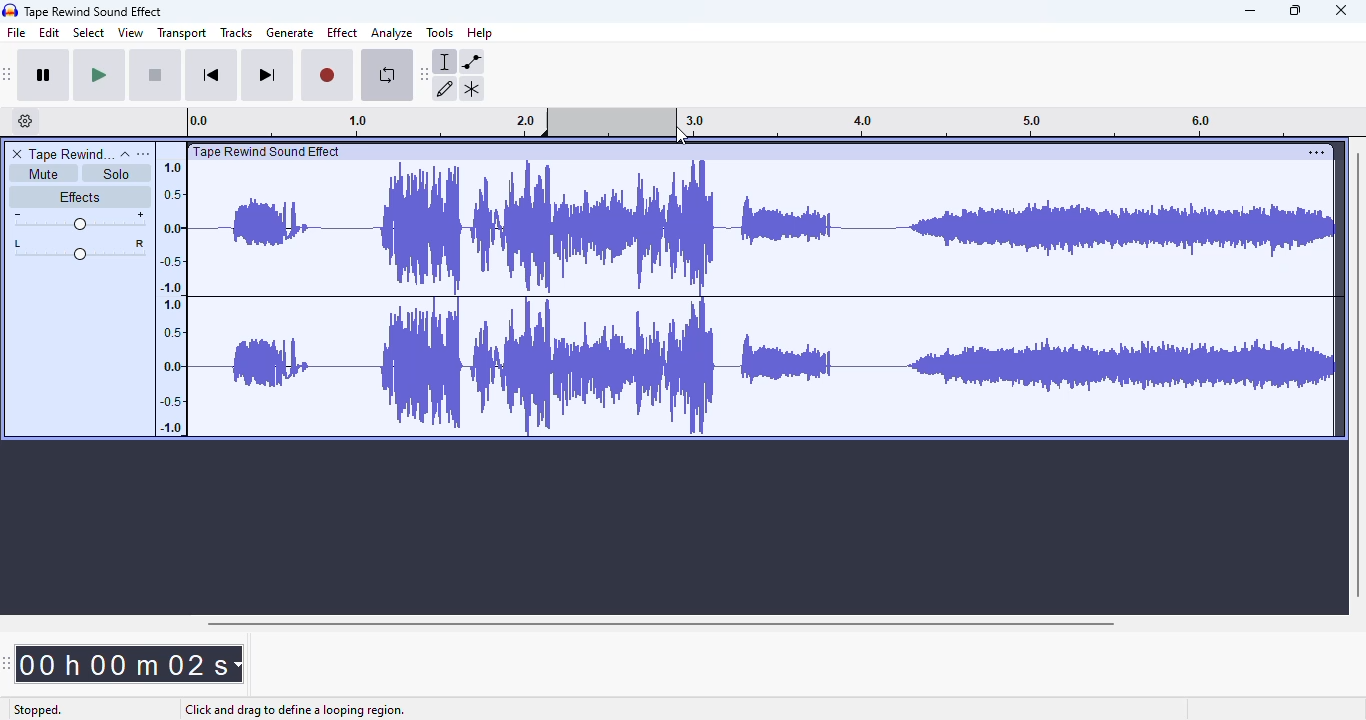 The width and height of the screenshot is (1366, 720). Describe the element at coordinates (1022, 121) in the screenshot. I see `3.0 4.0 5.0 6.0` at that location.